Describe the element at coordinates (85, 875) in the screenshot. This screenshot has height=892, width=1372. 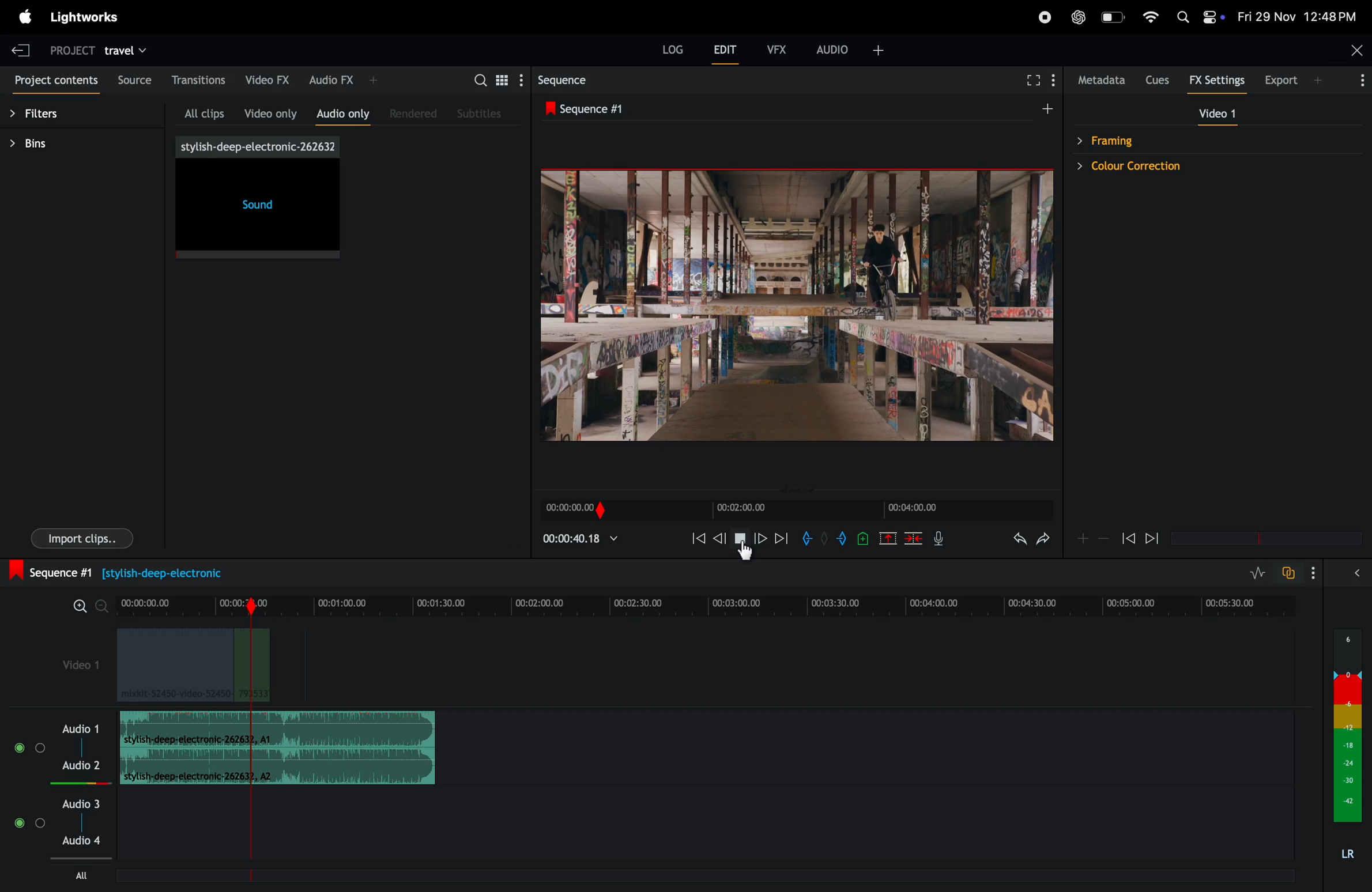
I see `all` at that location.